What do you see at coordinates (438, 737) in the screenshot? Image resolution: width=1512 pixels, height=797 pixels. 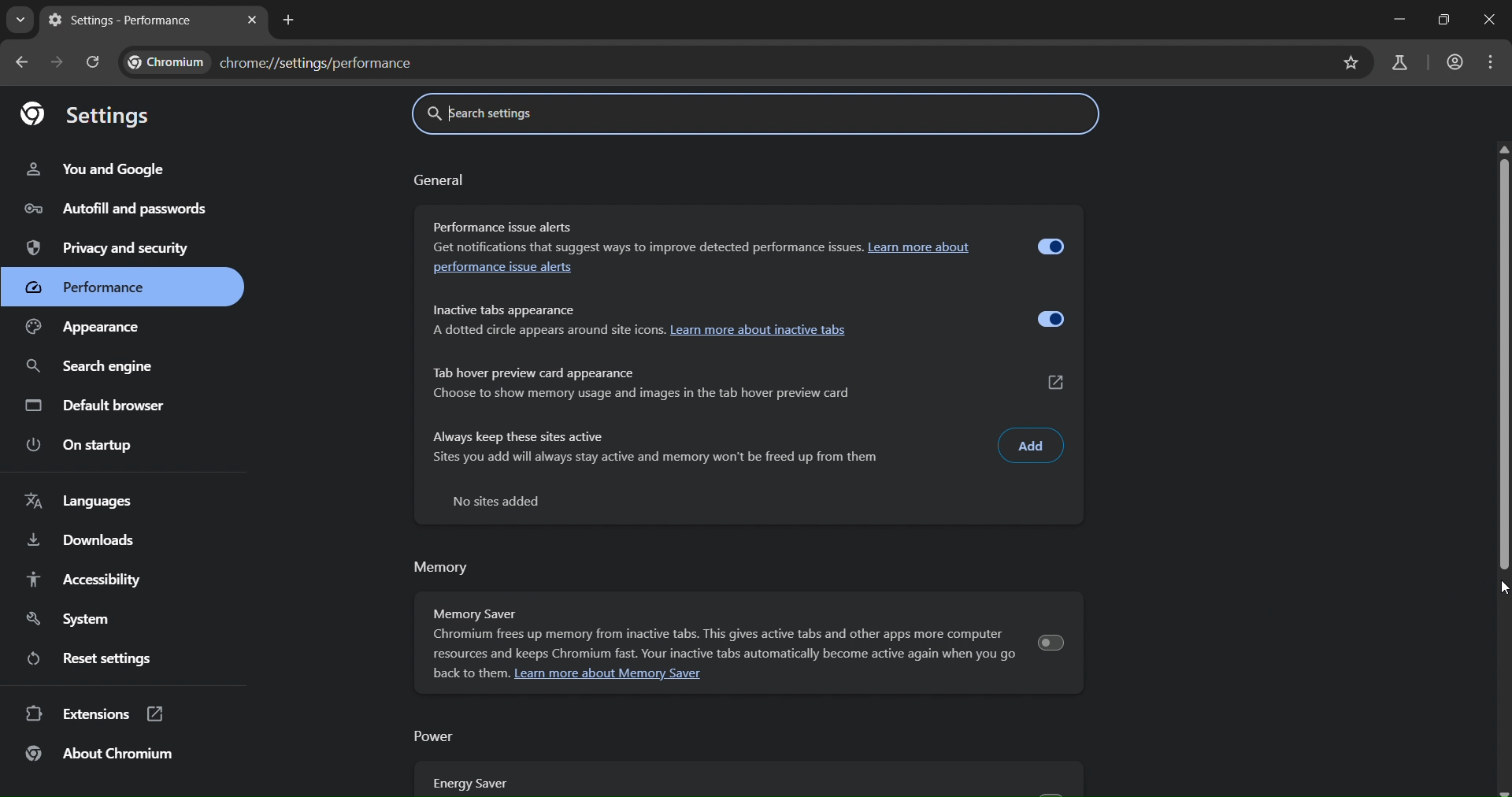 I see `power` at bounding box center [438, 737].